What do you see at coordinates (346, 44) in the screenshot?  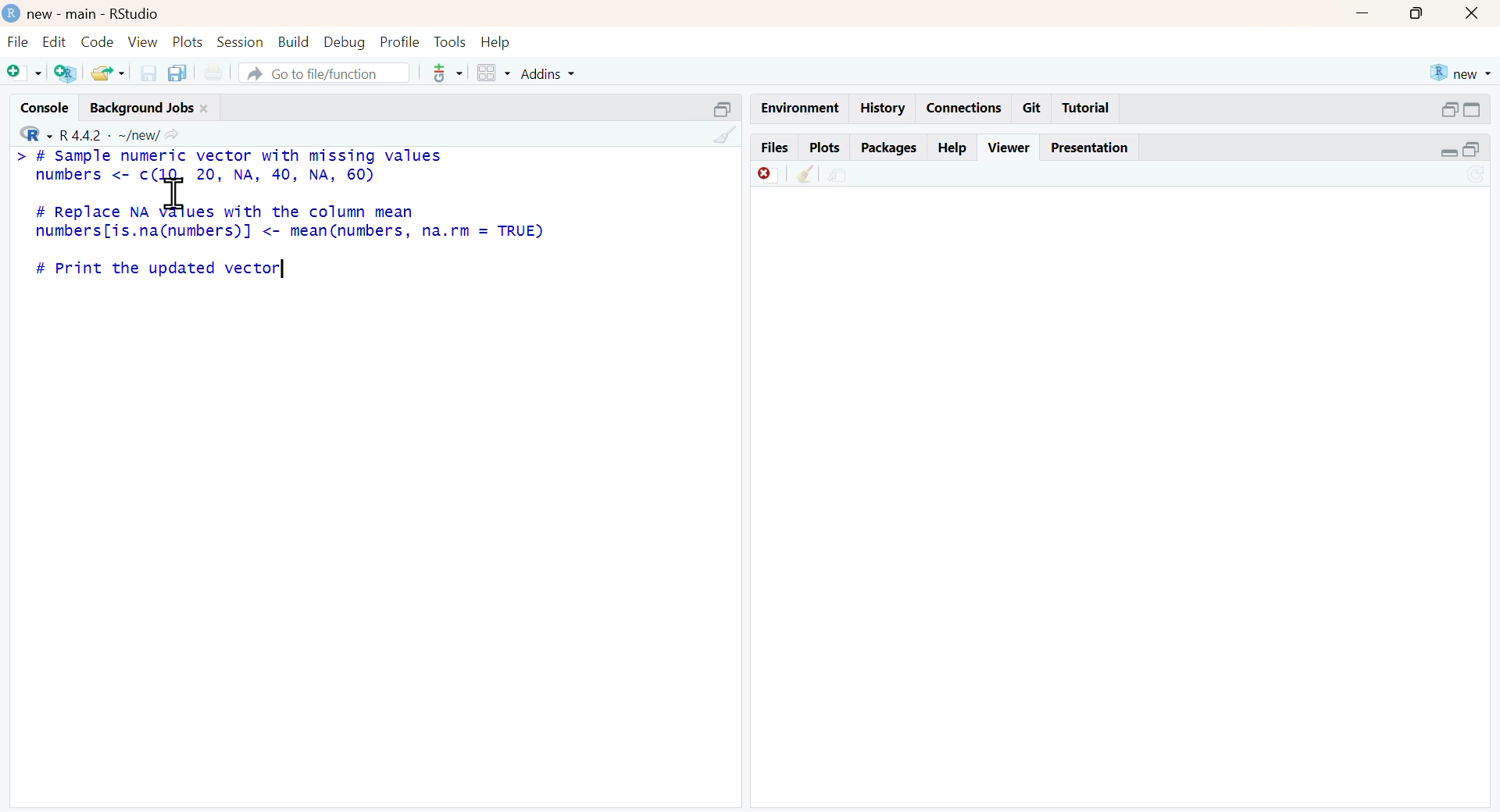 I see `debug` at bounding box center [346, 44].